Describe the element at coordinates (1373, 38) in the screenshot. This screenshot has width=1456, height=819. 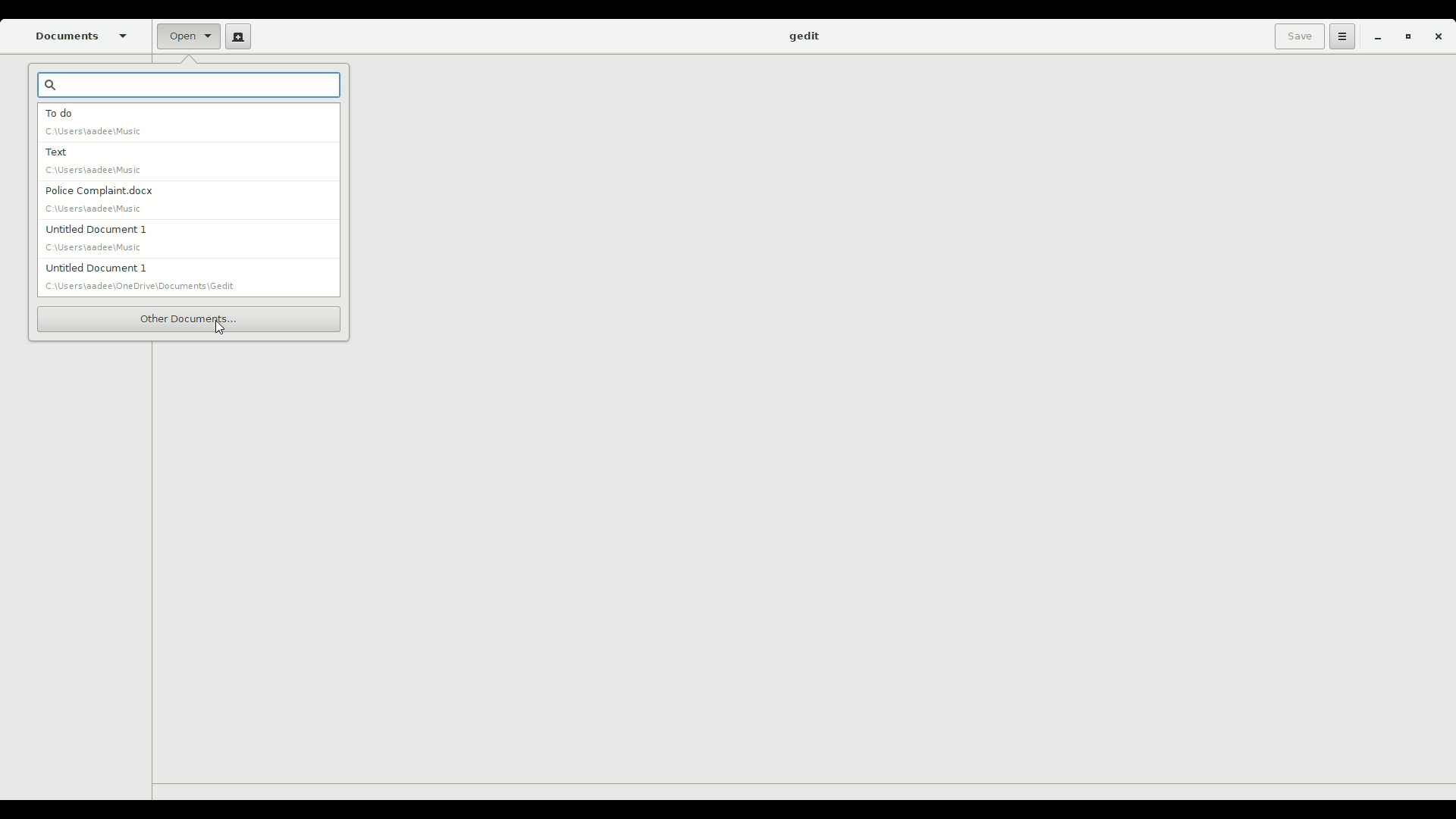
I see `Minimize` at that location.